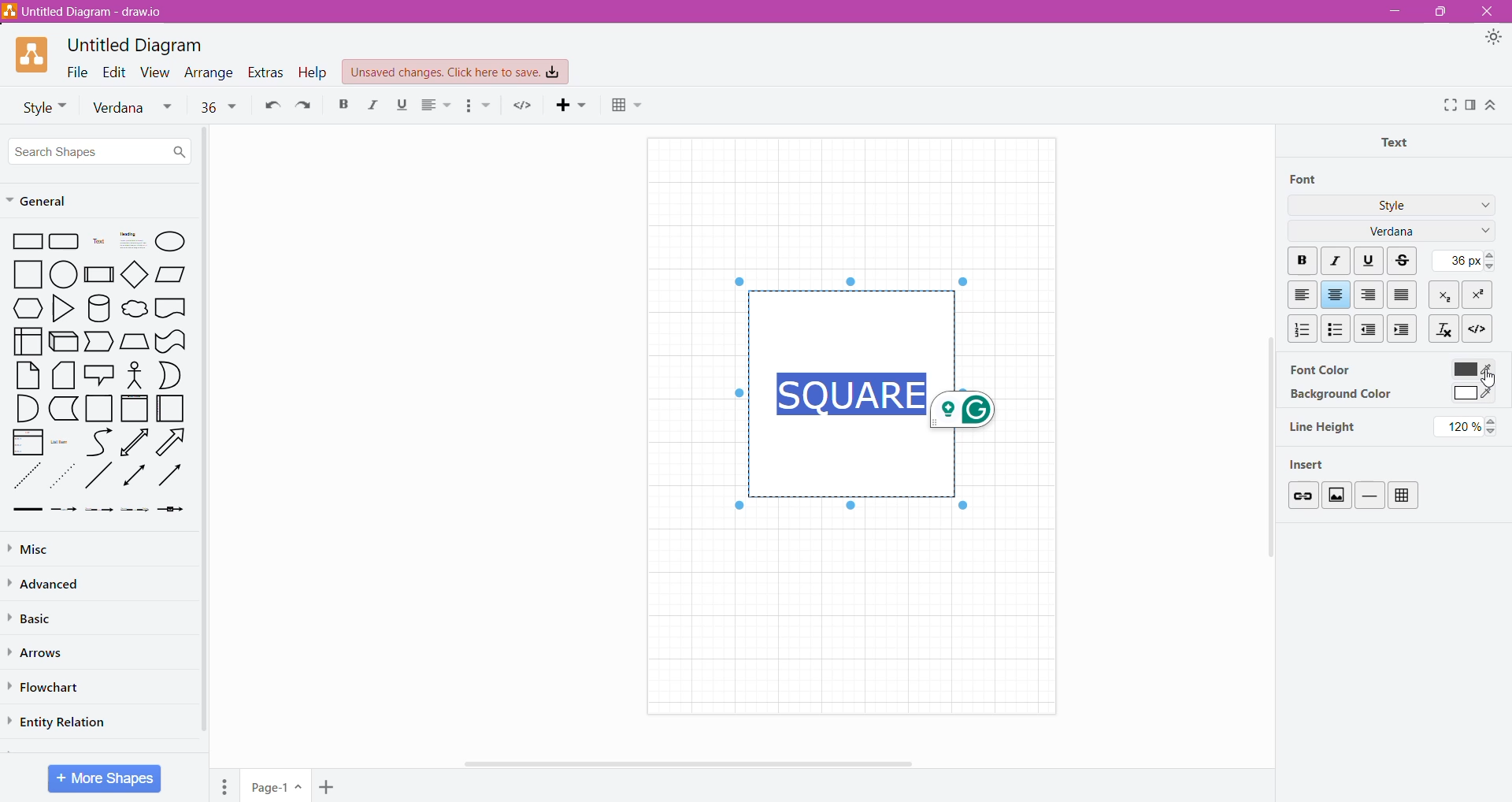  Describe the element at coordinates (91, 12) in the screenshot. I see `Diagram Title - Application Name` at that location.